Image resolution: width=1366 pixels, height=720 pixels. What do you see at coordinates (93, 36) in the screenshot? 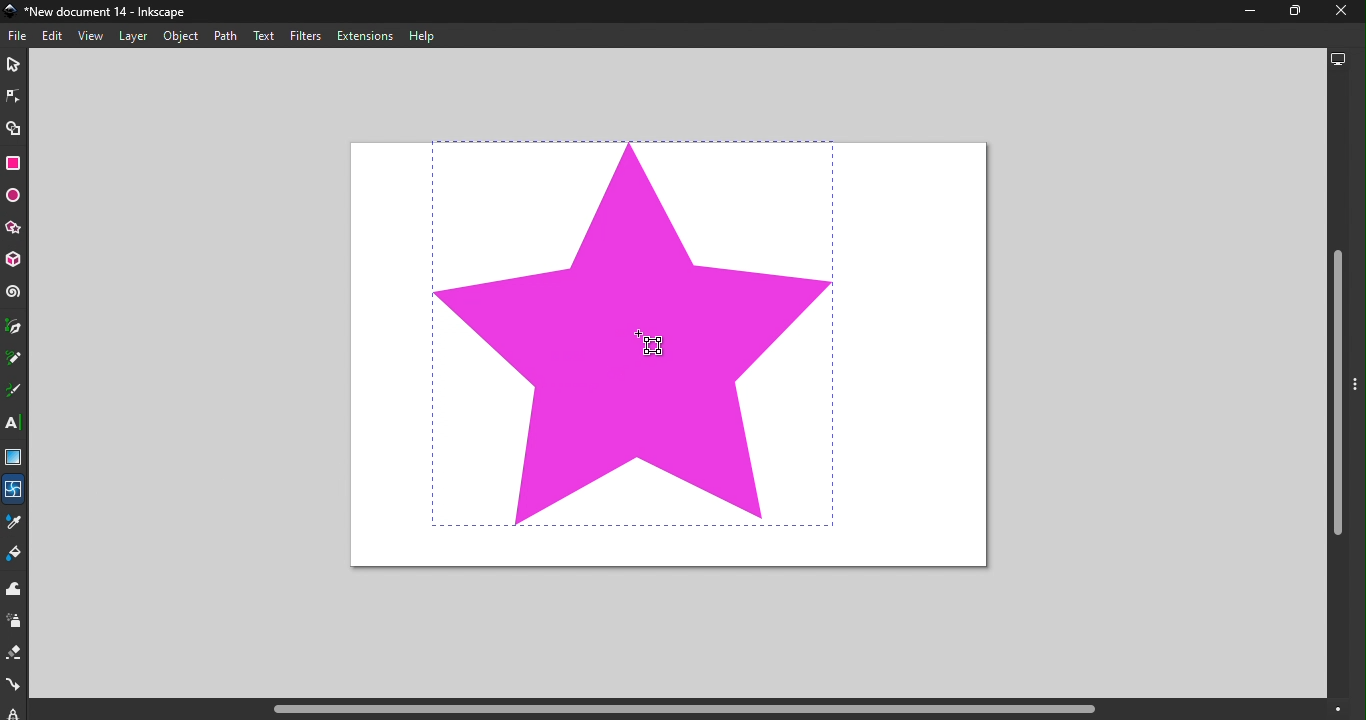
I see `View` at bounding box center [93, 36].